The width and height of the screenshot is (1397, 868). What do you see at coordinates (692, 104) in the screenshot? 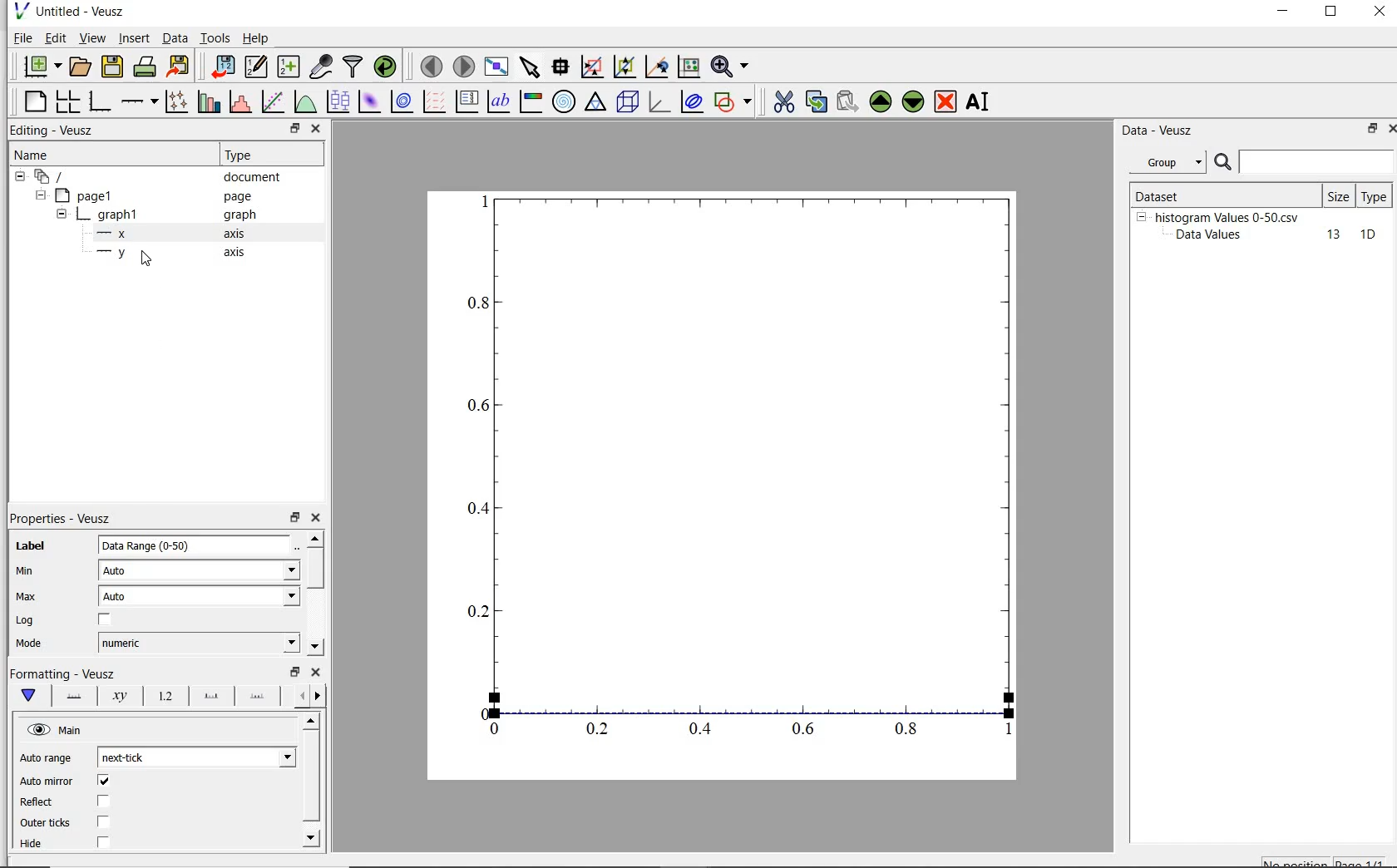
I see `plot covariance ellipse` at bounding box center [692, 104].